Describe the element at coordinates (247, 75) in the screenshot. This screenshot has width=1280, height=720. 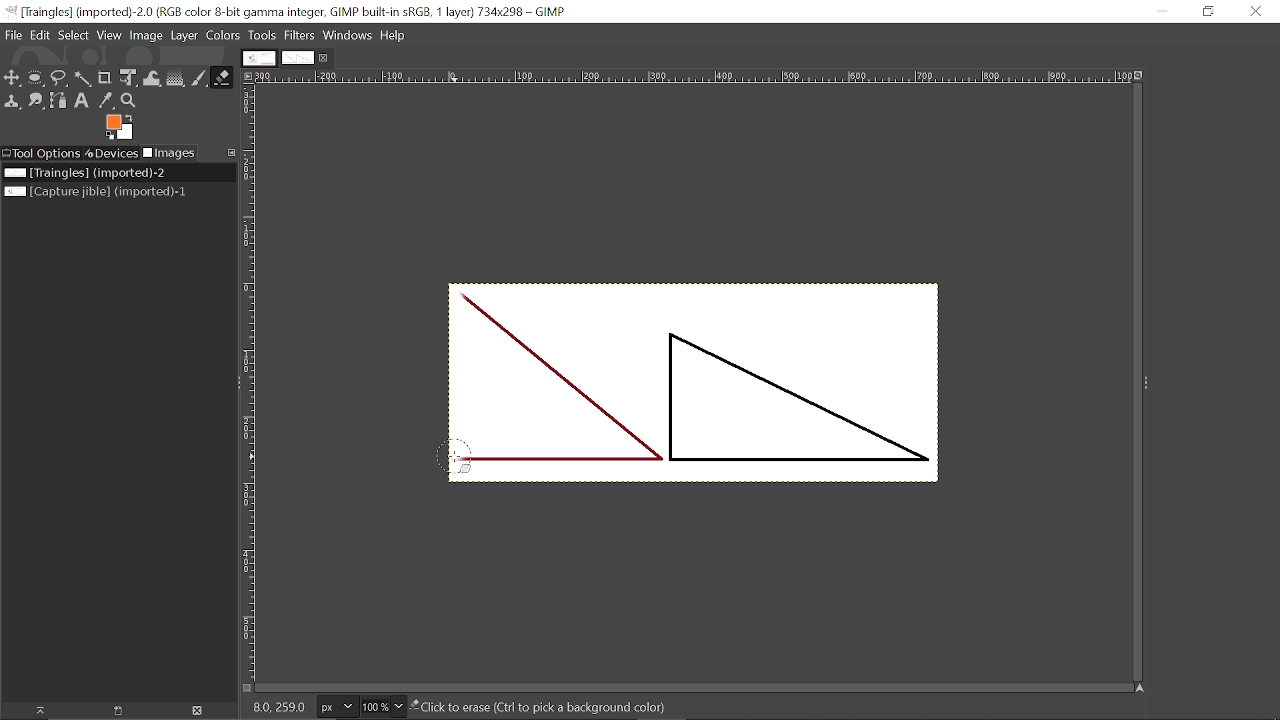
I see `Access the image menu` at that location.